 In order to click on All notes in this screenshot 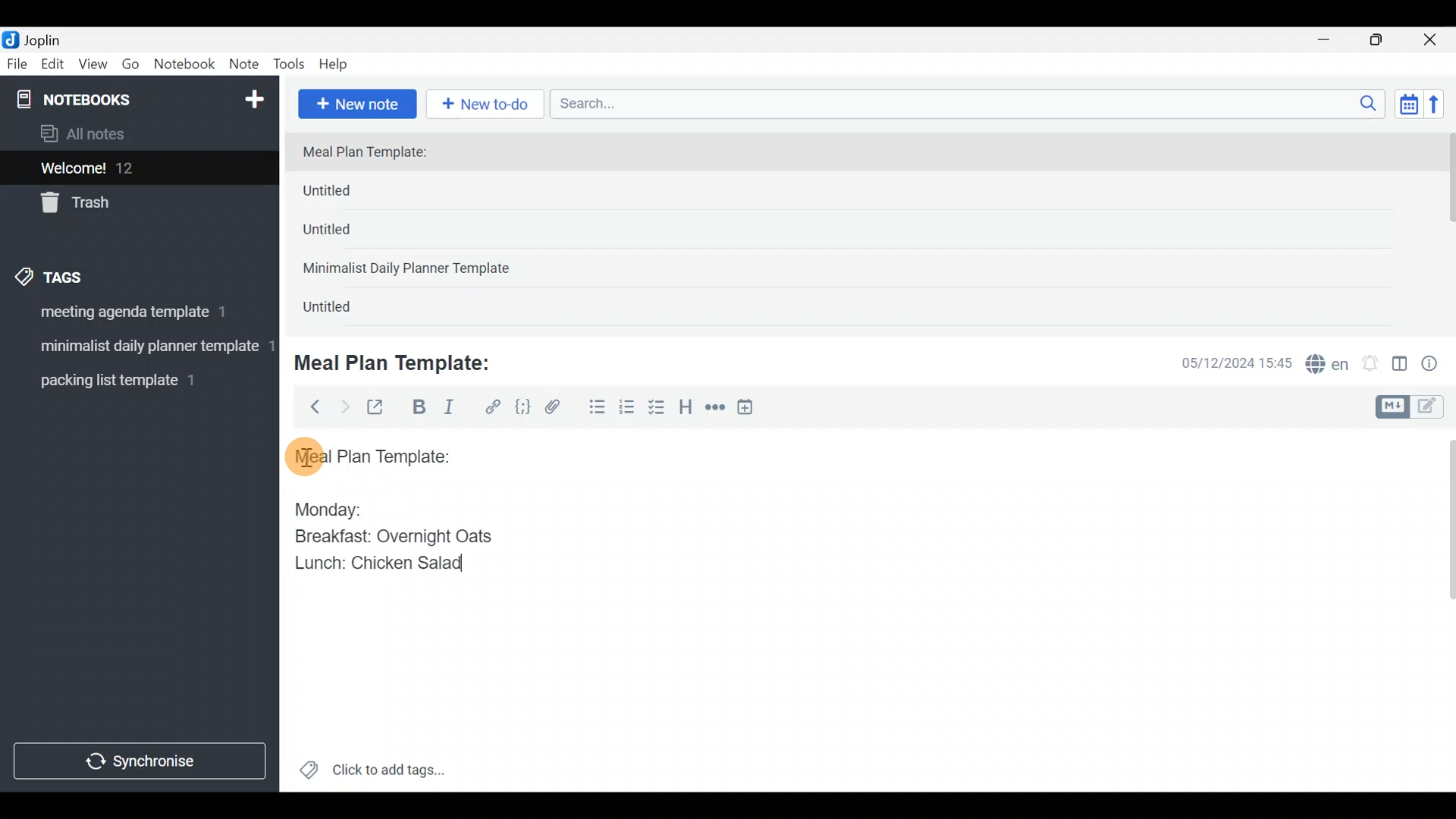, I will do `click(136, 135)`.